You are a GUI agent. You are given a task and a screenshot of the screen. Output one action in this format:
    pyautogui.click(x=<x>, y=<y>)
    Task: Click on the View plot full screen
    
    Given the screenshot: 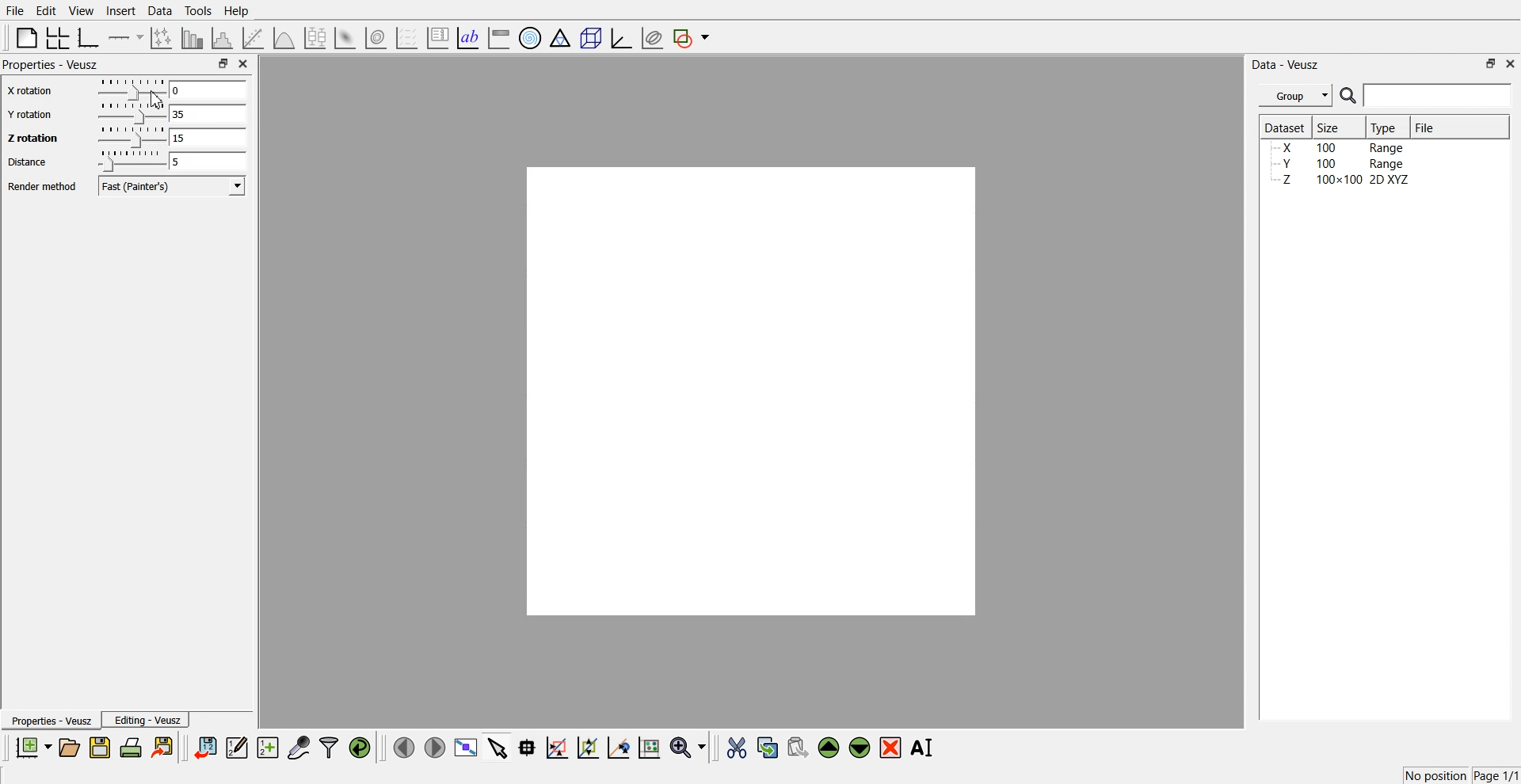 What is the action you would take?
    pyautogui.click(x=467, y=747)
    